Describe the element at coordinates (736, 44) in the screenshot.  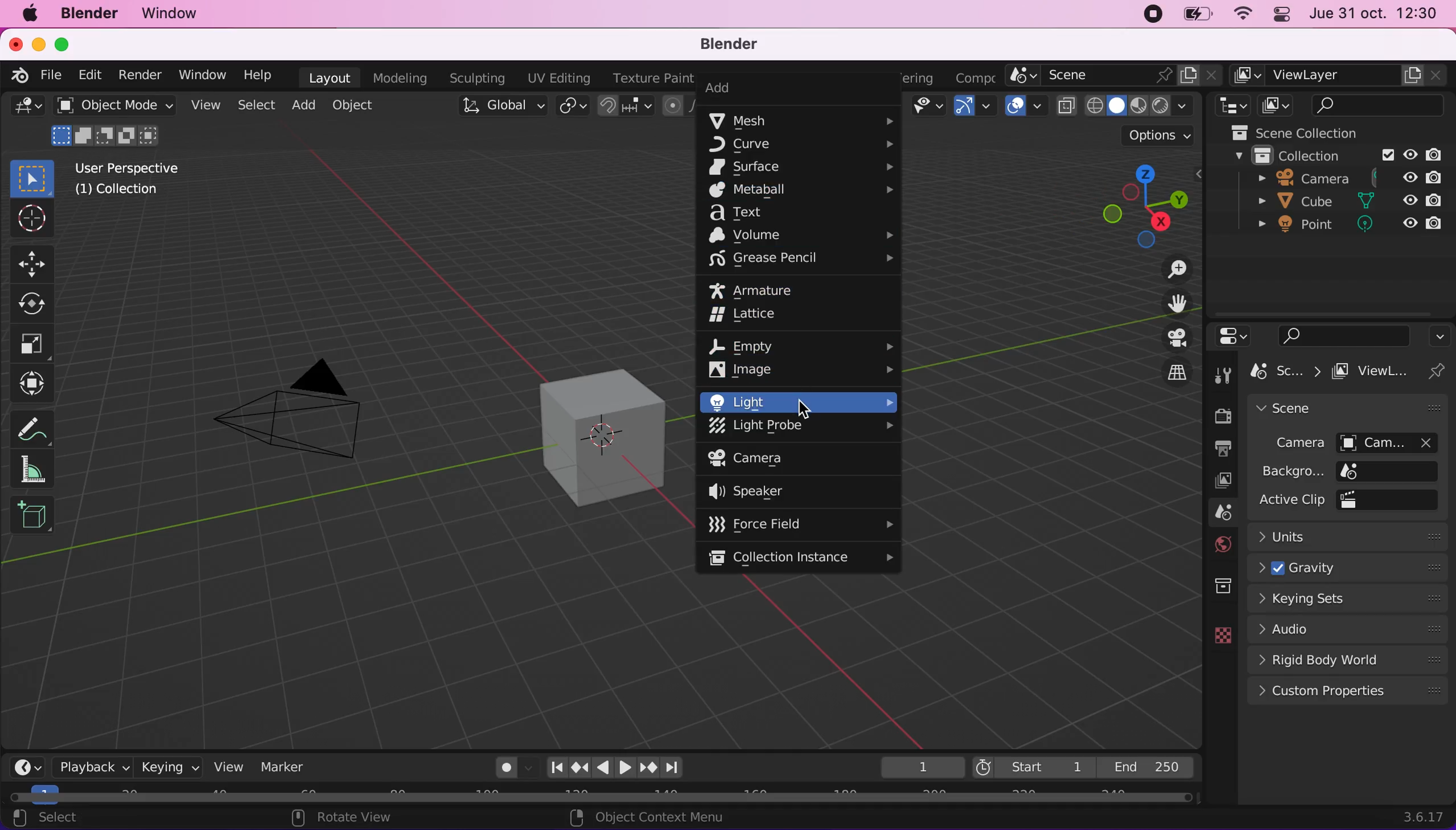
I see `blender` at that location.